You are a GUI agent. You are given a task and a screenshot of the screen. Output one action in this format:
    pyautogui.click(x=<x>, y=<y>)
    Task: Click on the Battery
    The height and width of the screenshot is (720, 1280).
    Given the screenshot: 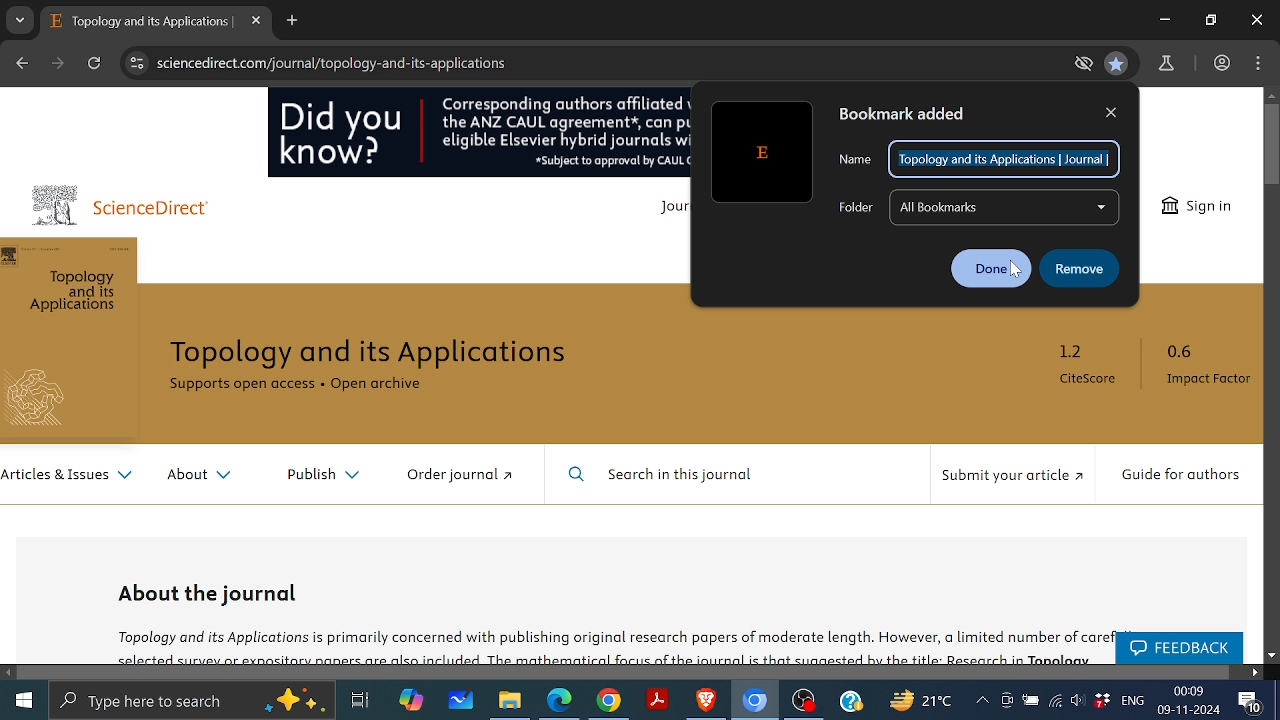 What is the action you would take?
    pyautogui.click(x=1030, y=701)
    